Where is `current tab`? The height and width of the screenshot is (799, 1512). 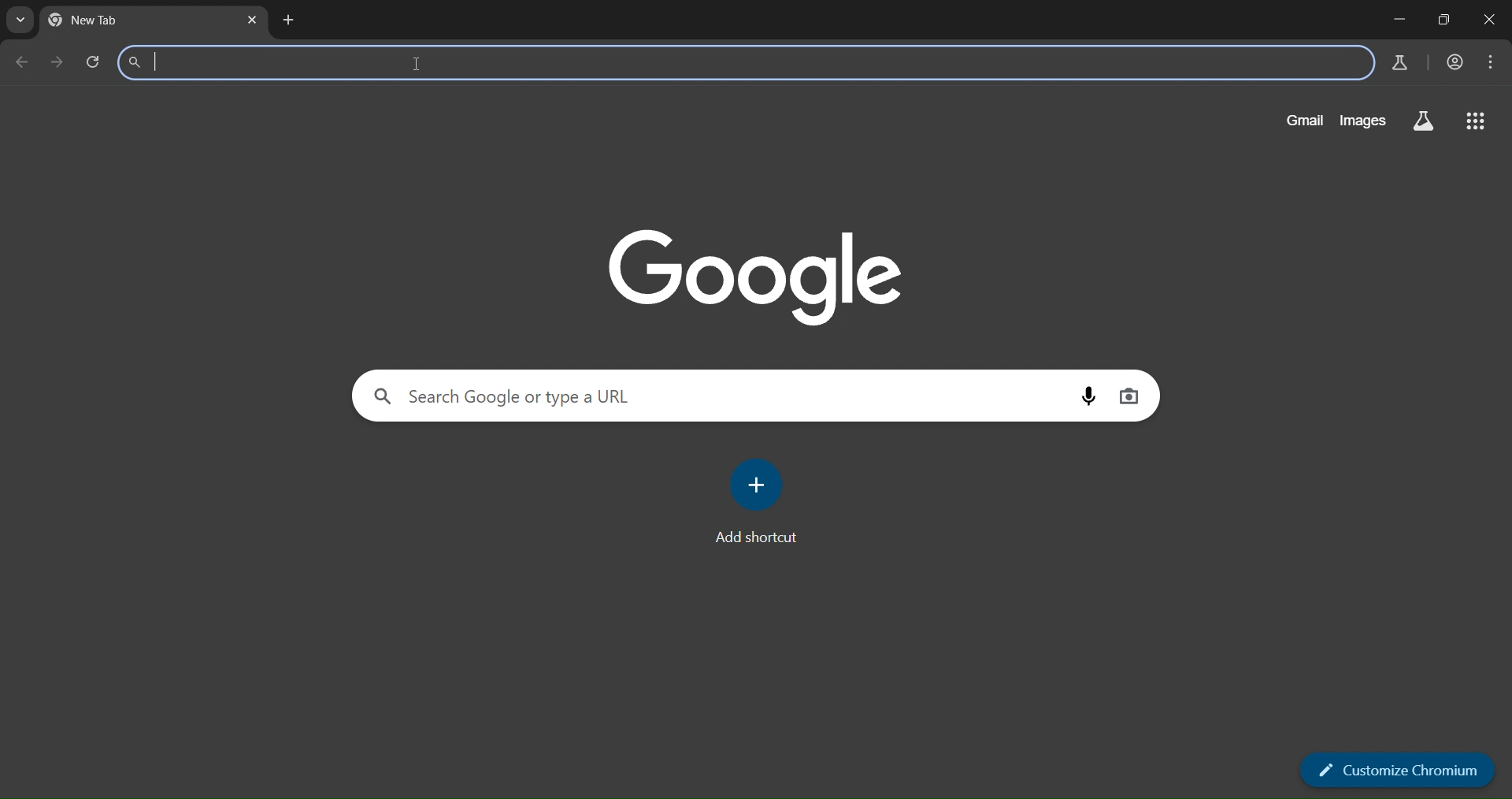
current tab is located at coordinates (132, 22).